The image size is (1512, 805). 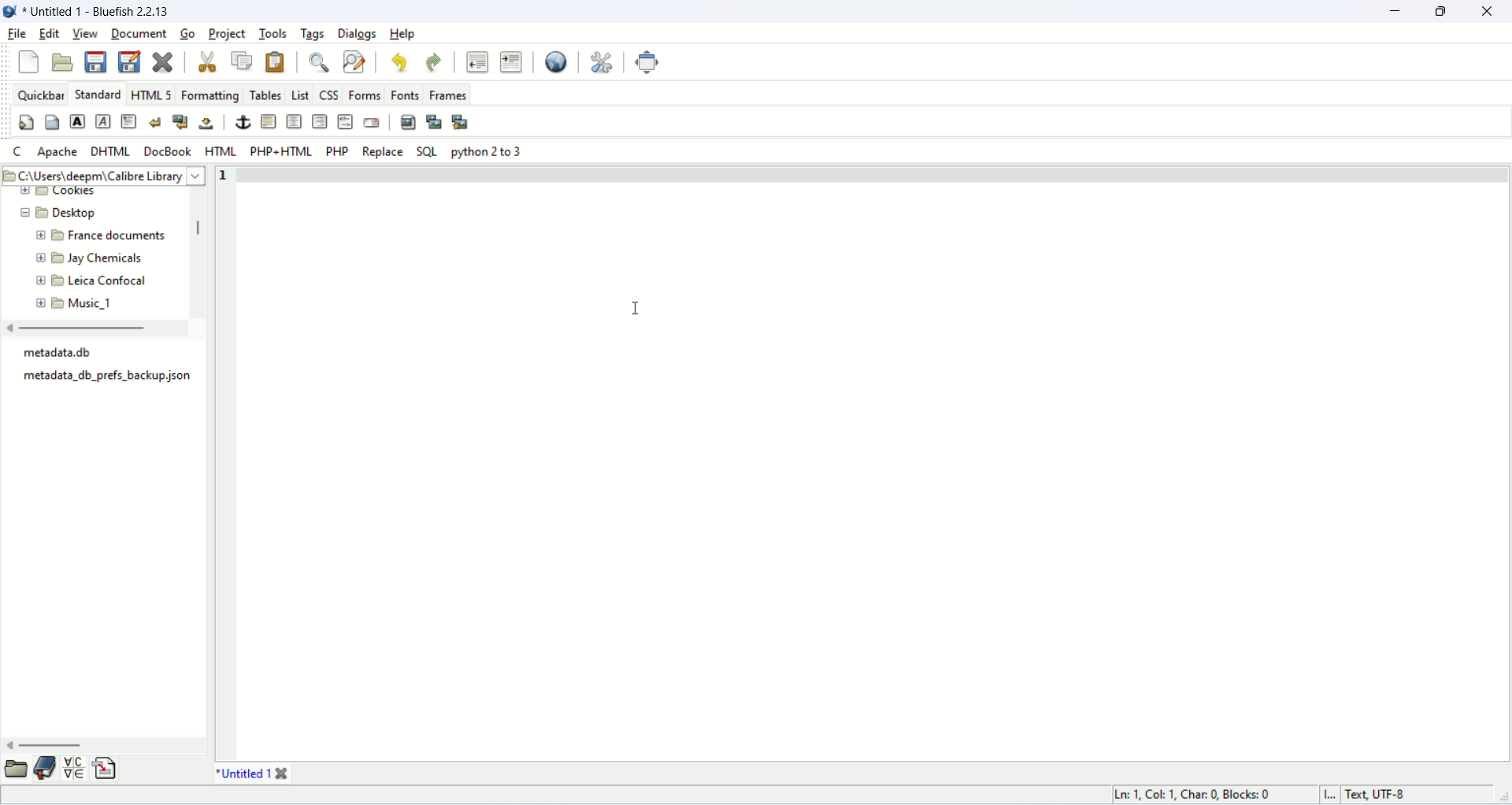 I want to click on close, so click(x=163, y=60).